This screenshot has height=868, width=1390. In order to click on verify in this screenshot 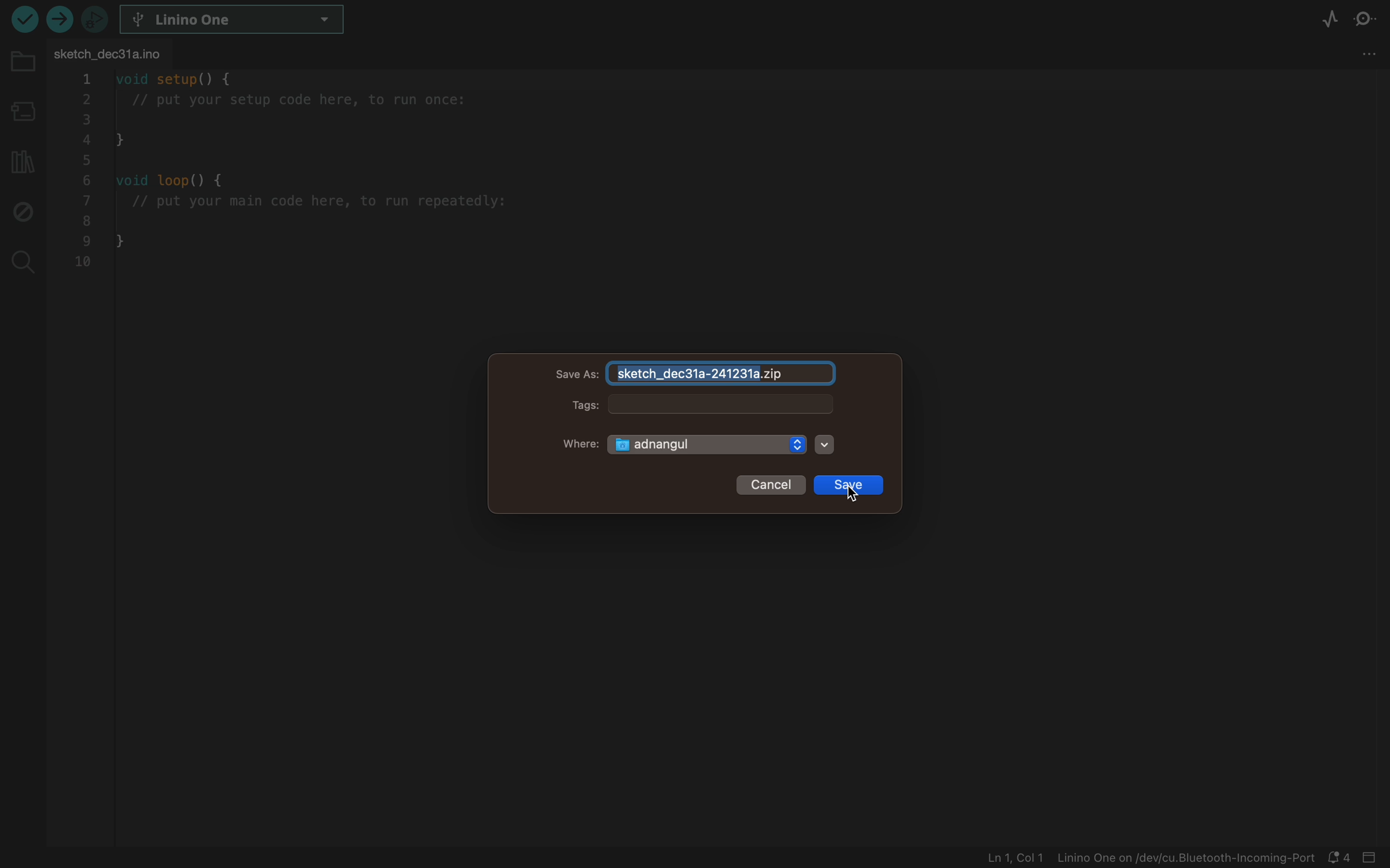, I will do `click(59, 20)`.